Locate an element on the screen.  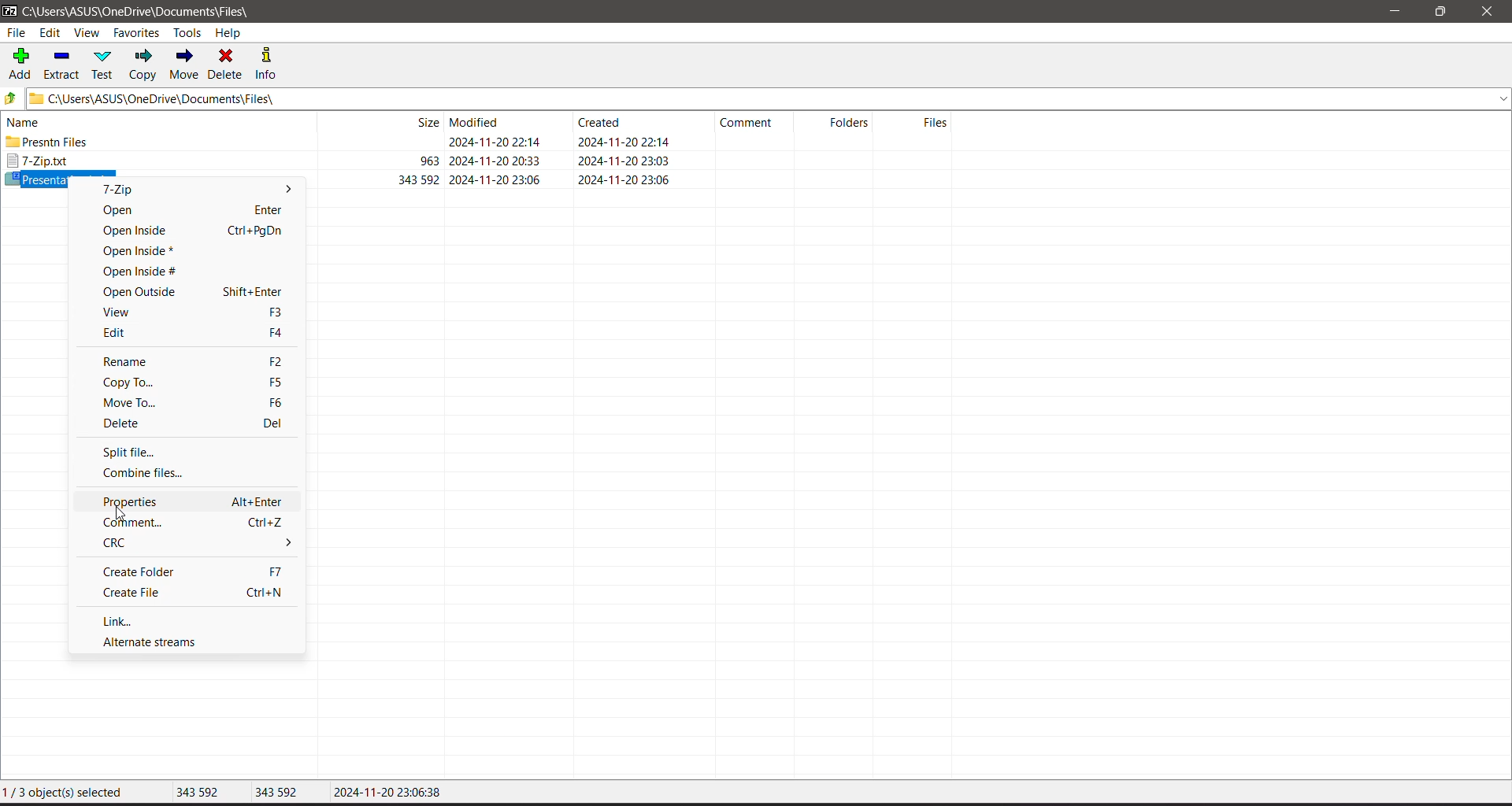
Add is located at coordinates (20, 62).